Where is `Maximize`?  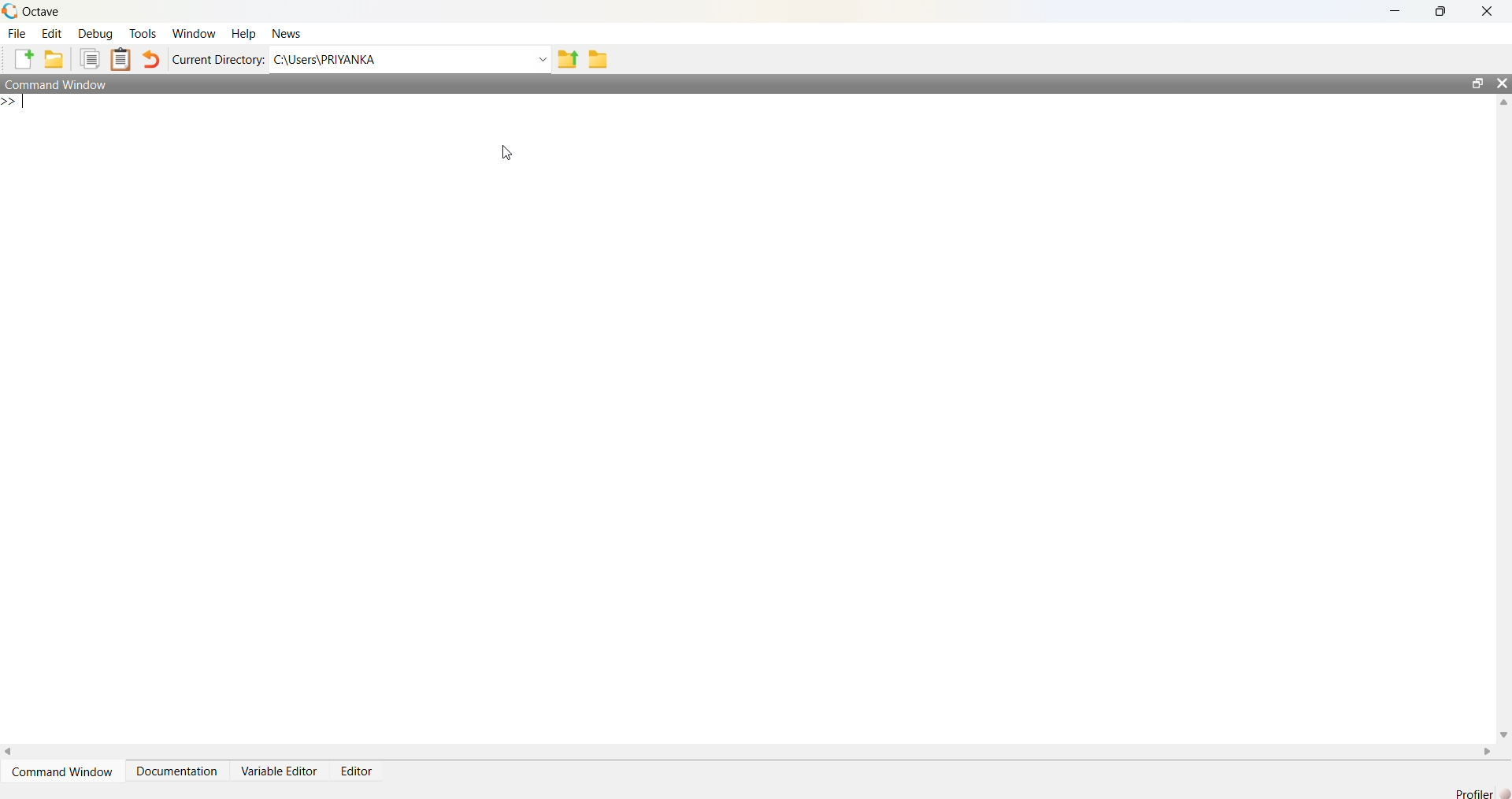 Maximize is located at coordinates (1437, 11).